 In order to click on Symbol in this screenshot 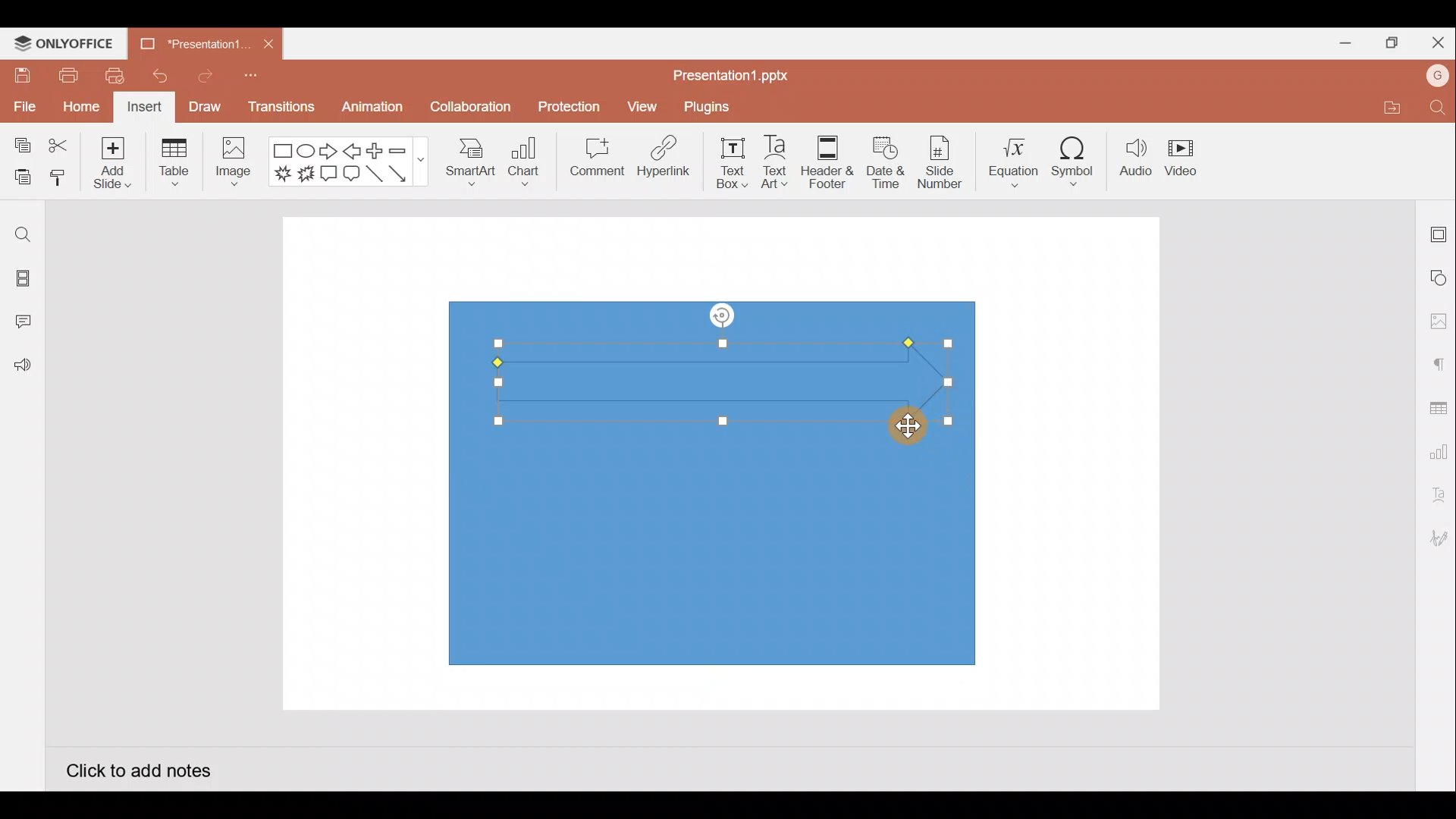, I will do `click(1074, 158)`.